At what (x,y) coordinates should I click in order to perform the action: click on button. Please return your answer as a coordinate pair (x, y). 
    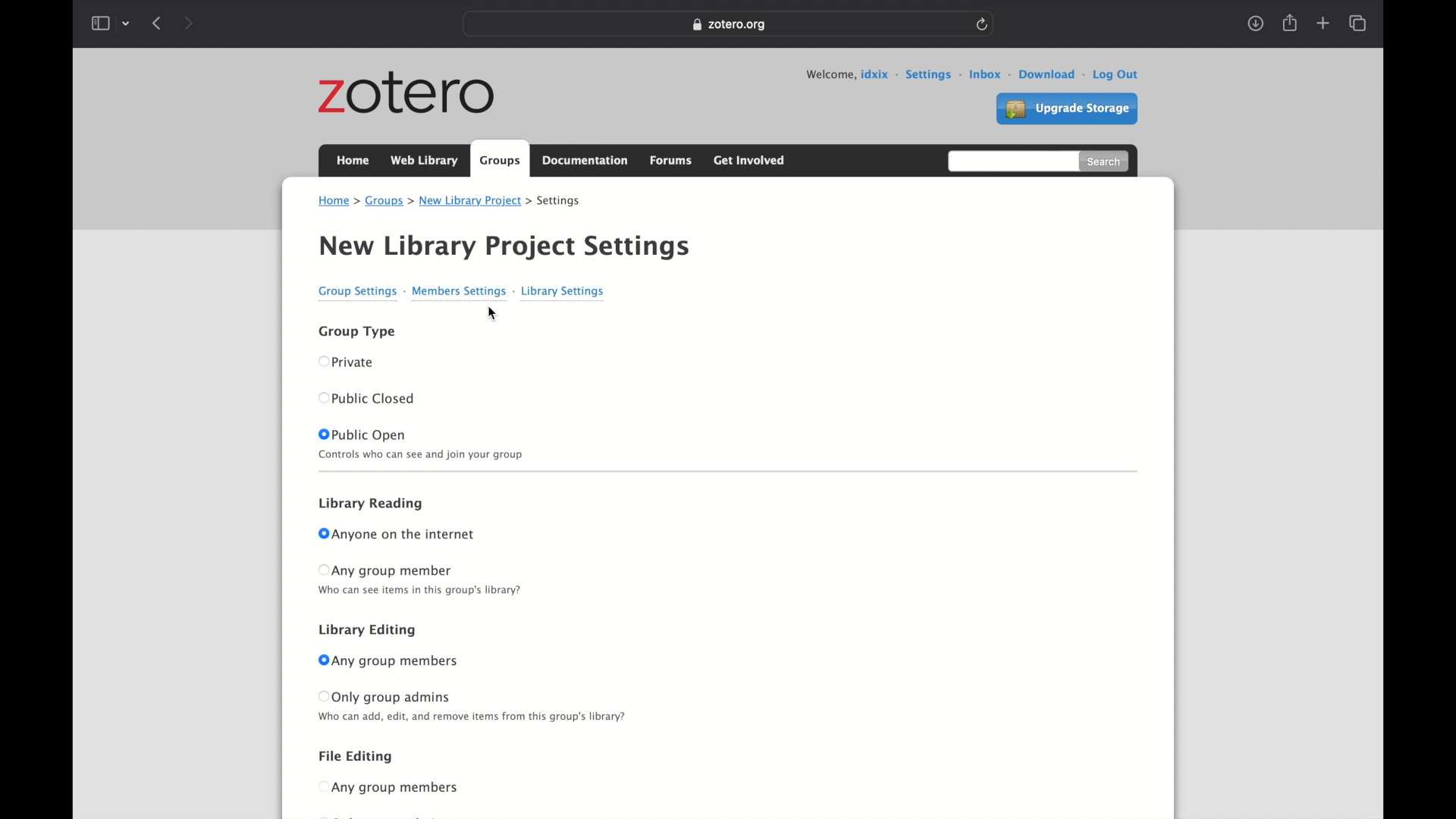
    Looking at the image, I should click on (323, 360).